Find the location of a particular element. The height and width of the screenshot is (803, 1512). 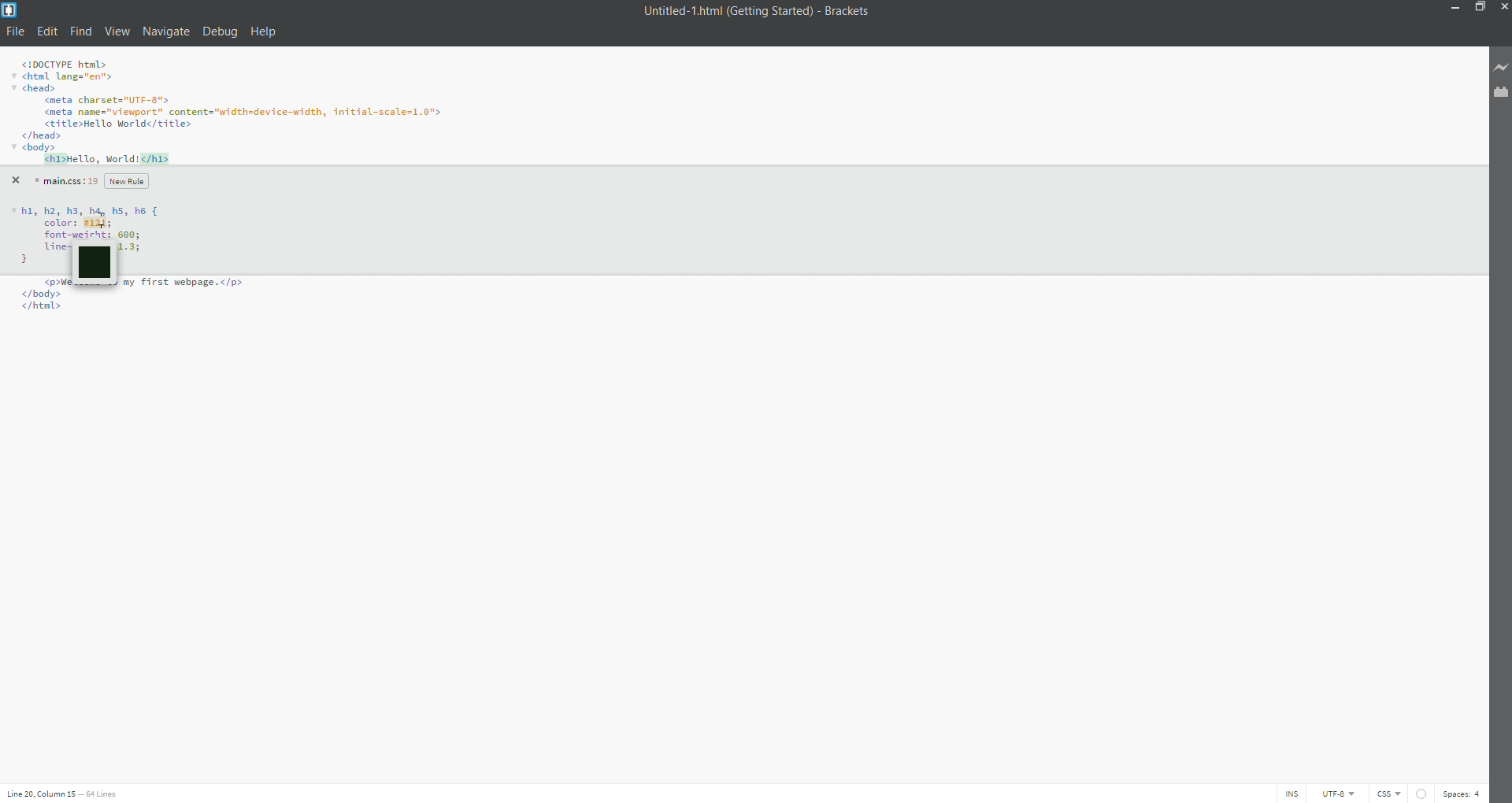

ins is located at coordinates (1285, 794).